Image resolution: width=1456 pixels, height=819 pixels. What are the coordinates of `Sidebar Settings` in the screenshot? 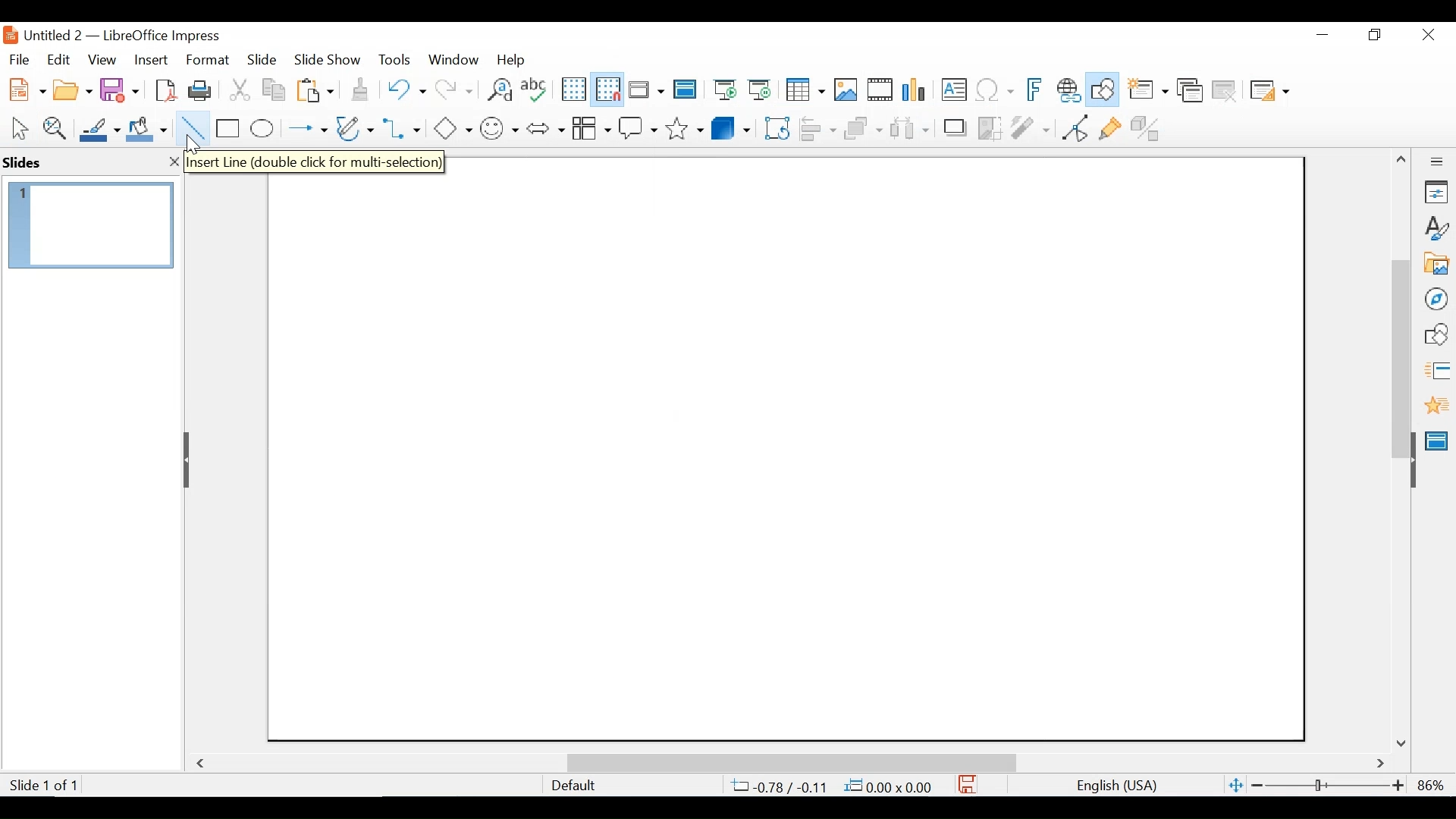 It's located at (1437, 162).